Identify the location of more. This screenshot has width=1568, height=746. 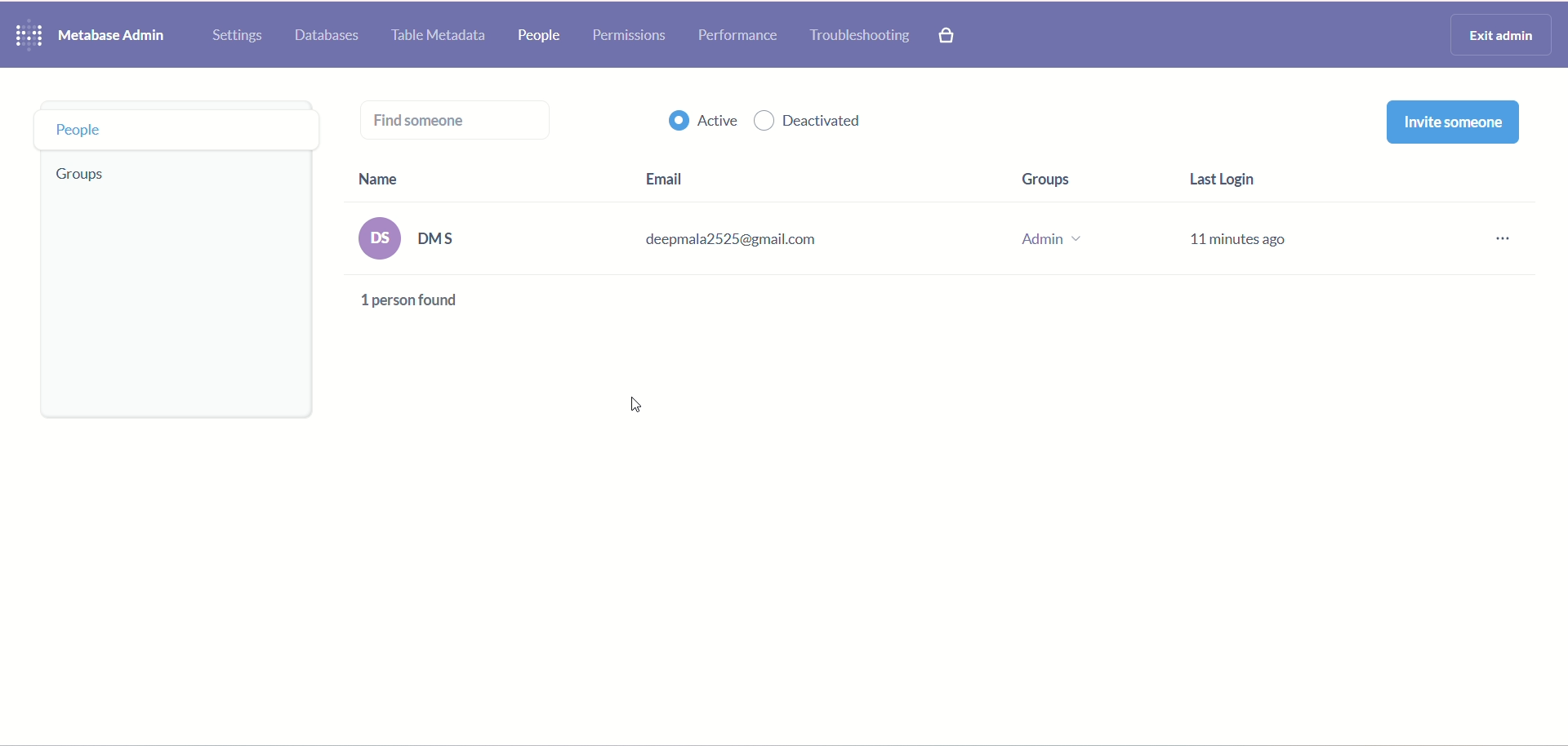
(1496, 237).